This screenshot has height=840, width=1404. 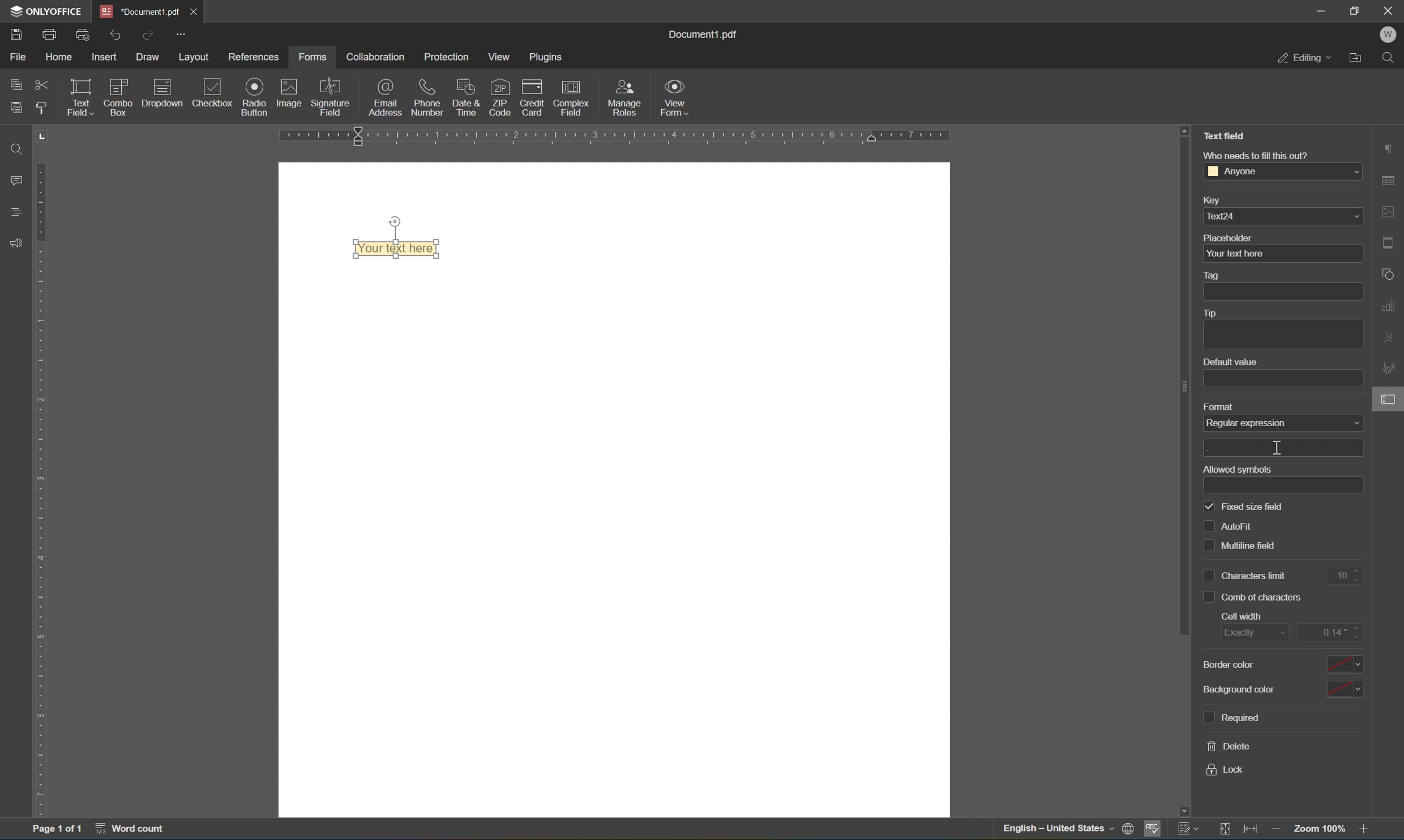 What do you see at coordinates (1390, 398) in the screenshot?
I see `form settings` at bounding box center [1390, 398].